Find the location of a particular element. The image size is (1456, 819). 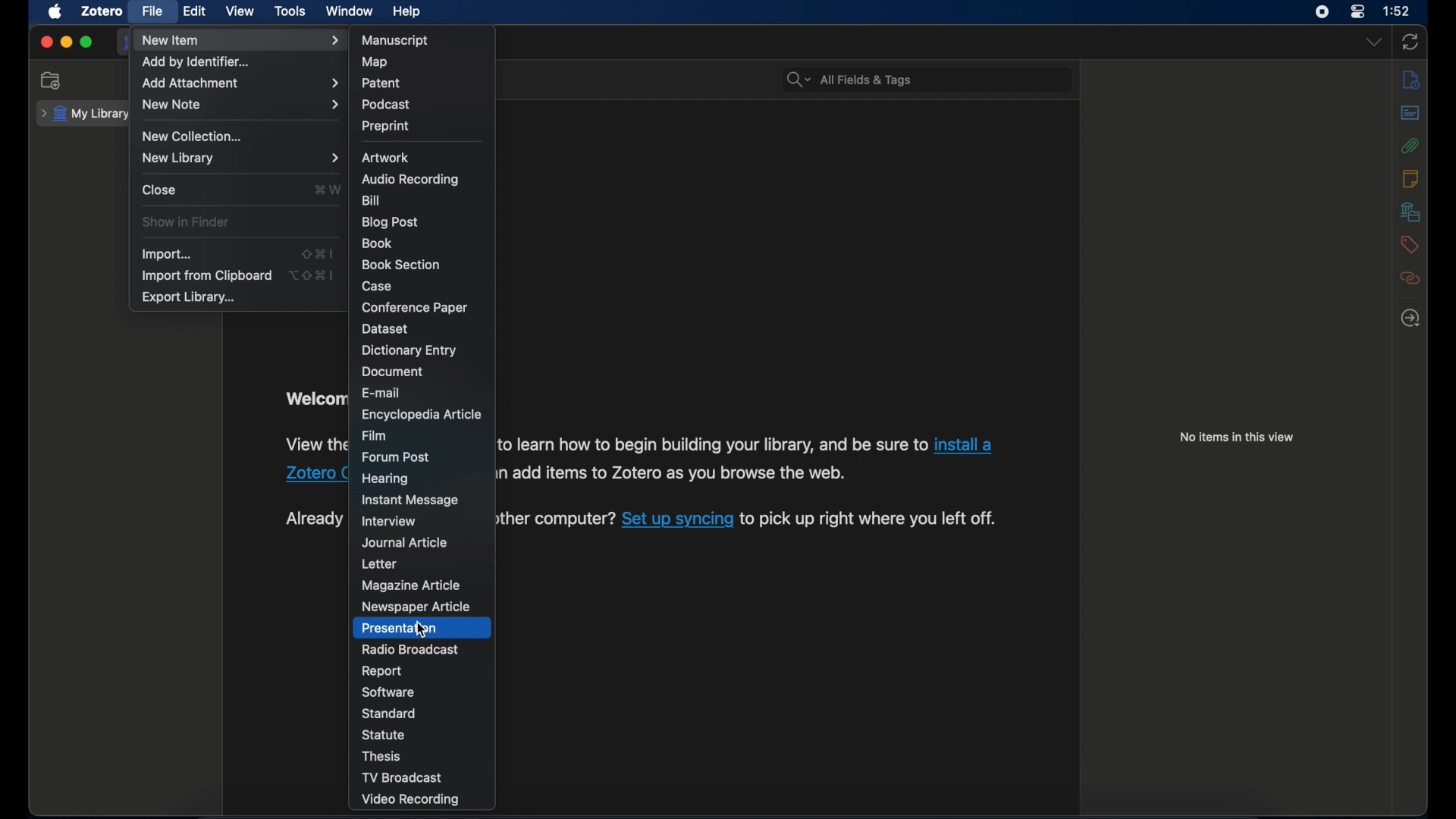

sync is located at coordinates (1410, 43).